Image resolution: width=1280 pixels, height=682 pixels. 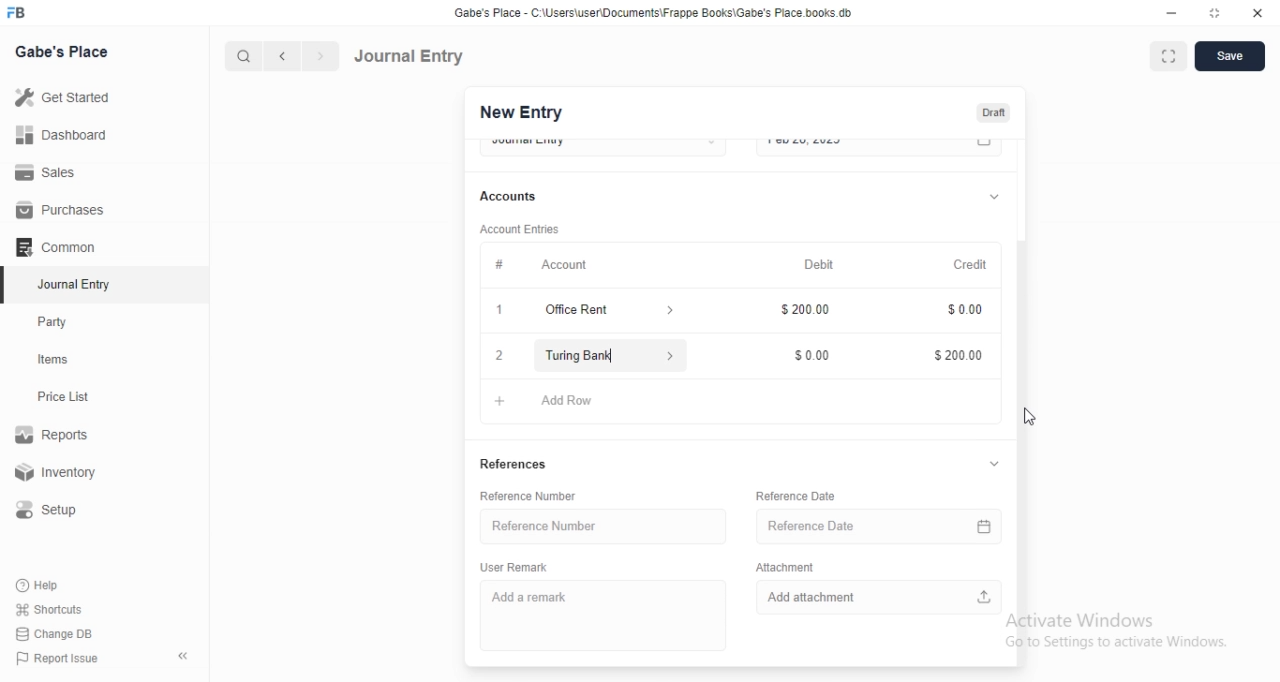 What do you see at coordinates (55, 438) in the screenshot?
I see `Reports.` at bounding box center [55, 438].